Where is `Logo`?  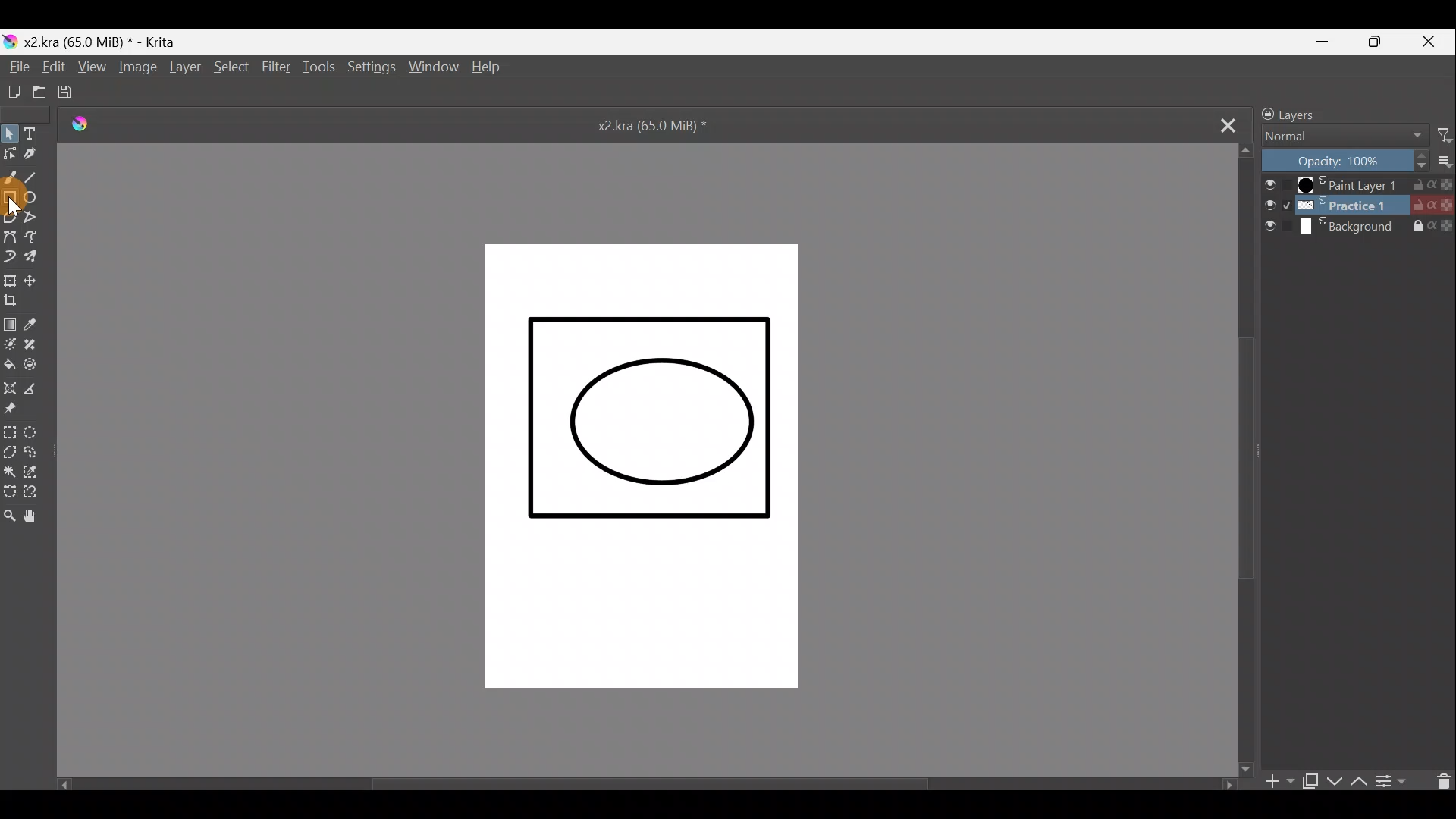
Logo is located at coordinates (74, 120).